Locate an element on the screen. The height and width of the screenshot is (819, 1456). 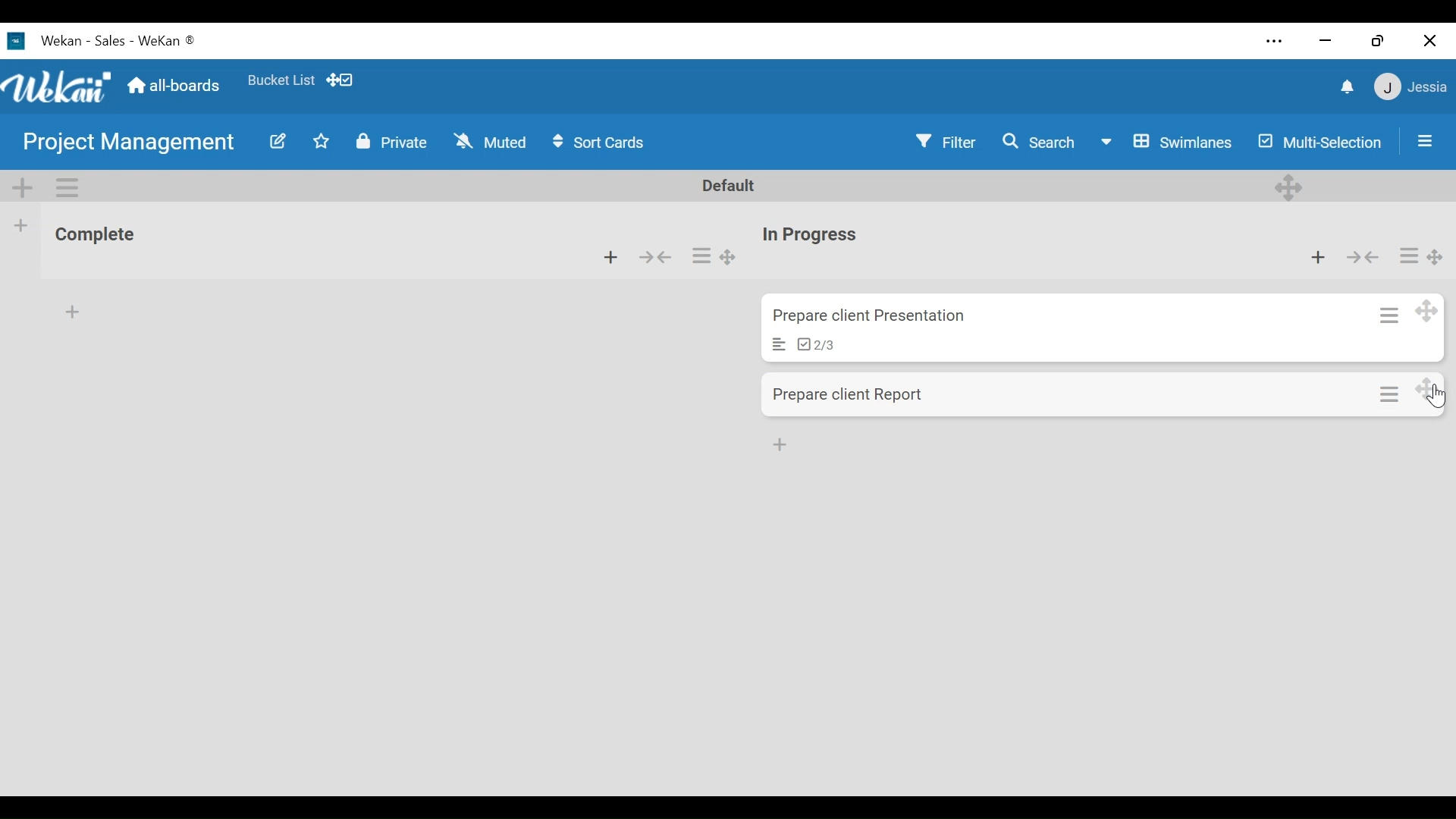
Wekan logo is located at coordinates (19, 41).